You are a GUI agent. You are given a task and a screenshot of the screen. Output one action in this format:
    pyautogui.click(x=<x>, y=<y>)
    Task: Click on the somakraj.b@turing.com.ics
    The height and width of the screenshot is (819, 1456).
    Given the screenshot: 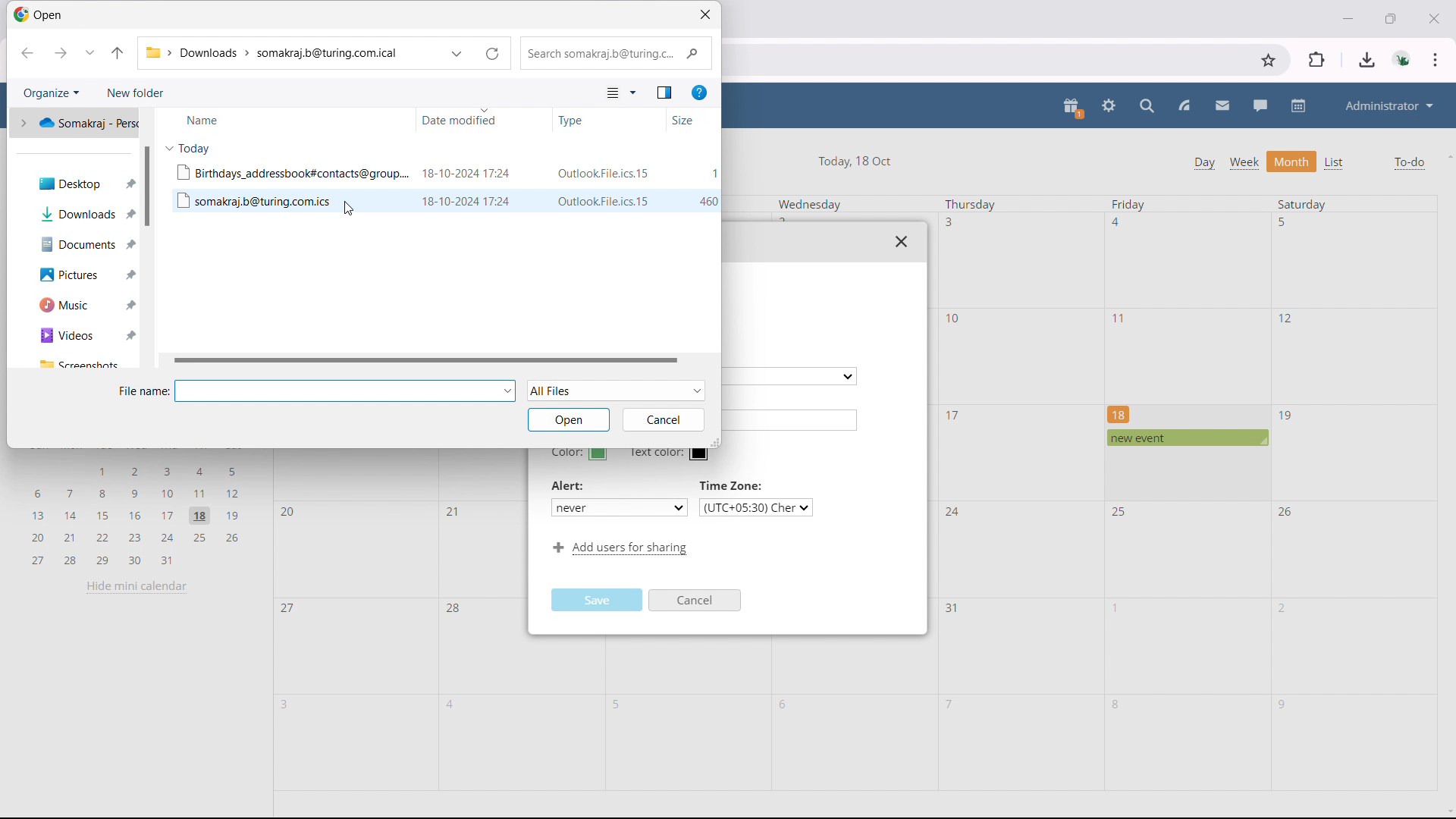 What is the action you would take?
    pyautogui.click(x=250, y=201)
    